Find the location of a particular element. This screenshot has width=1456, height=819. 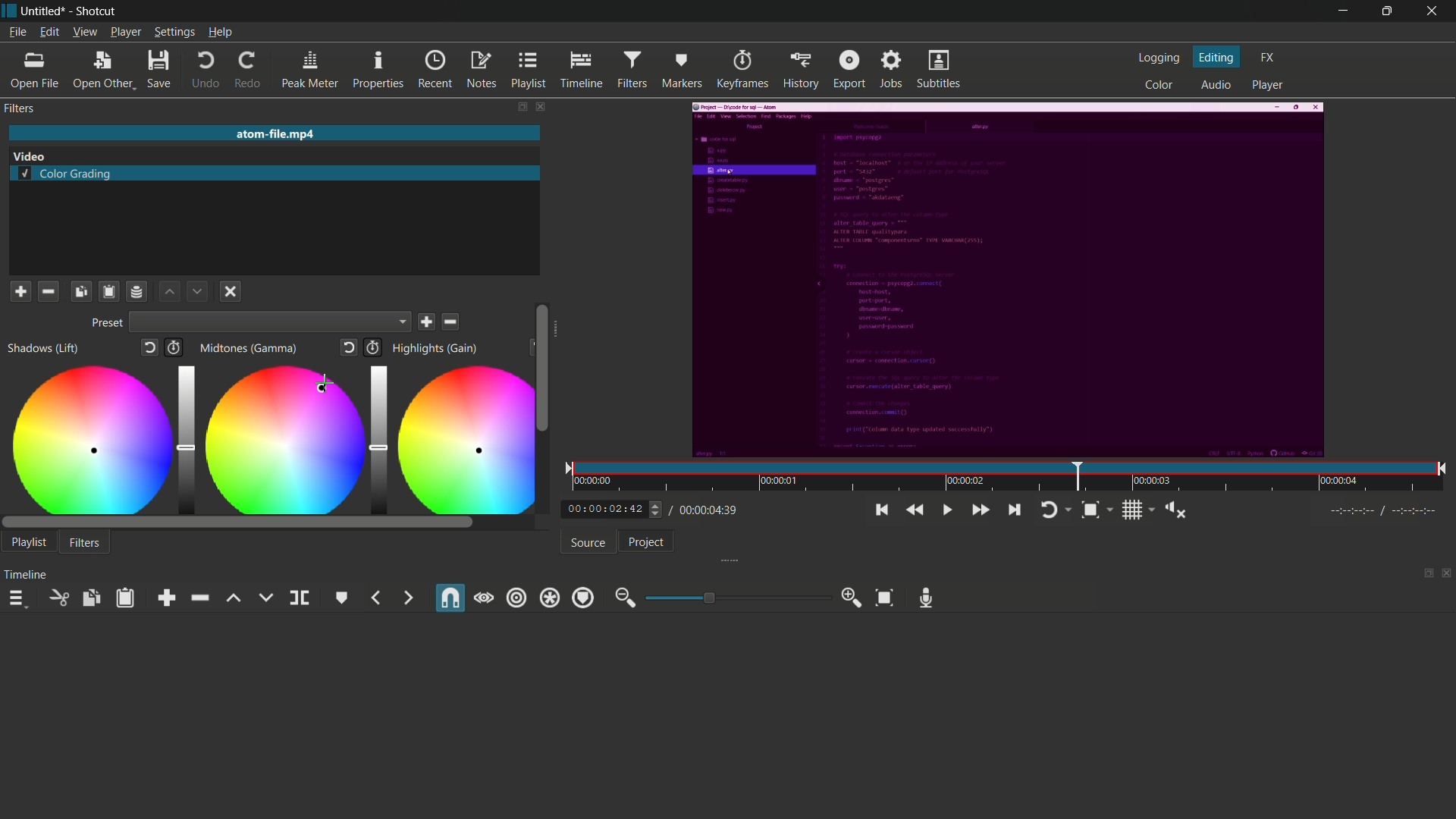

player is located at coordinates (1268, 86).